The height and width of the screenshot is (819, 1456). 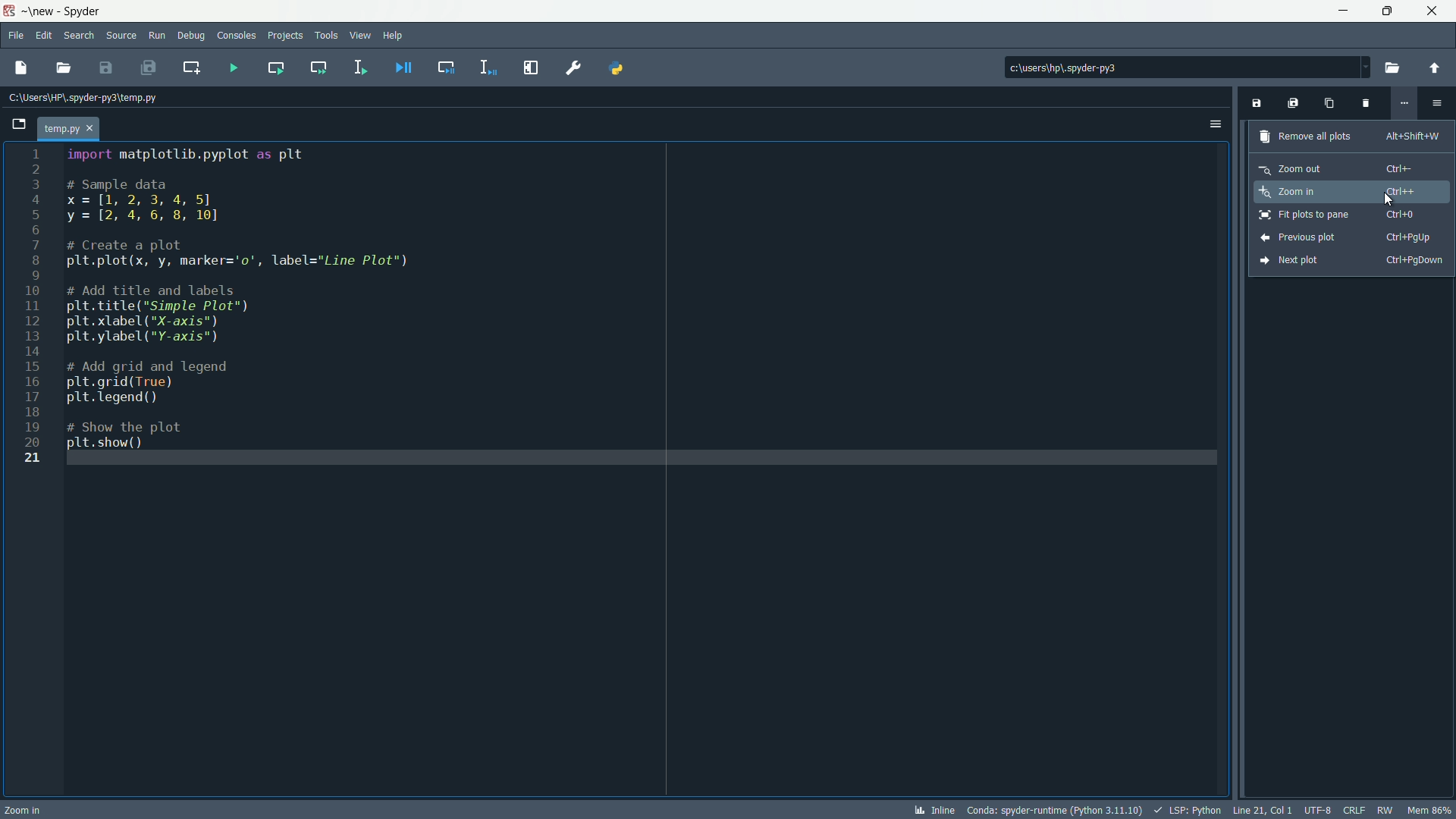 I want to click on save file, so click(x=19, y=68).